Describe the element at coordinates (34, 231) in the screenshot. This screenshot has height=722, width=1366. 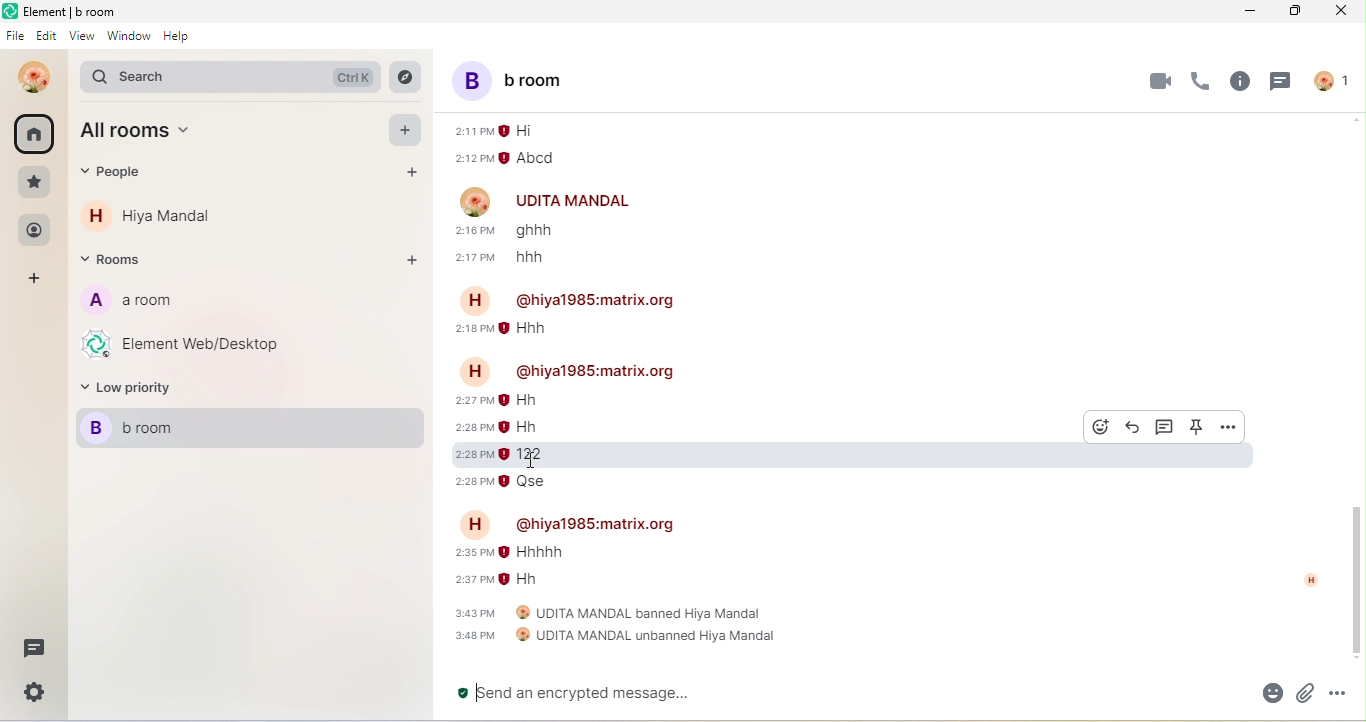
I see `people` at that location.